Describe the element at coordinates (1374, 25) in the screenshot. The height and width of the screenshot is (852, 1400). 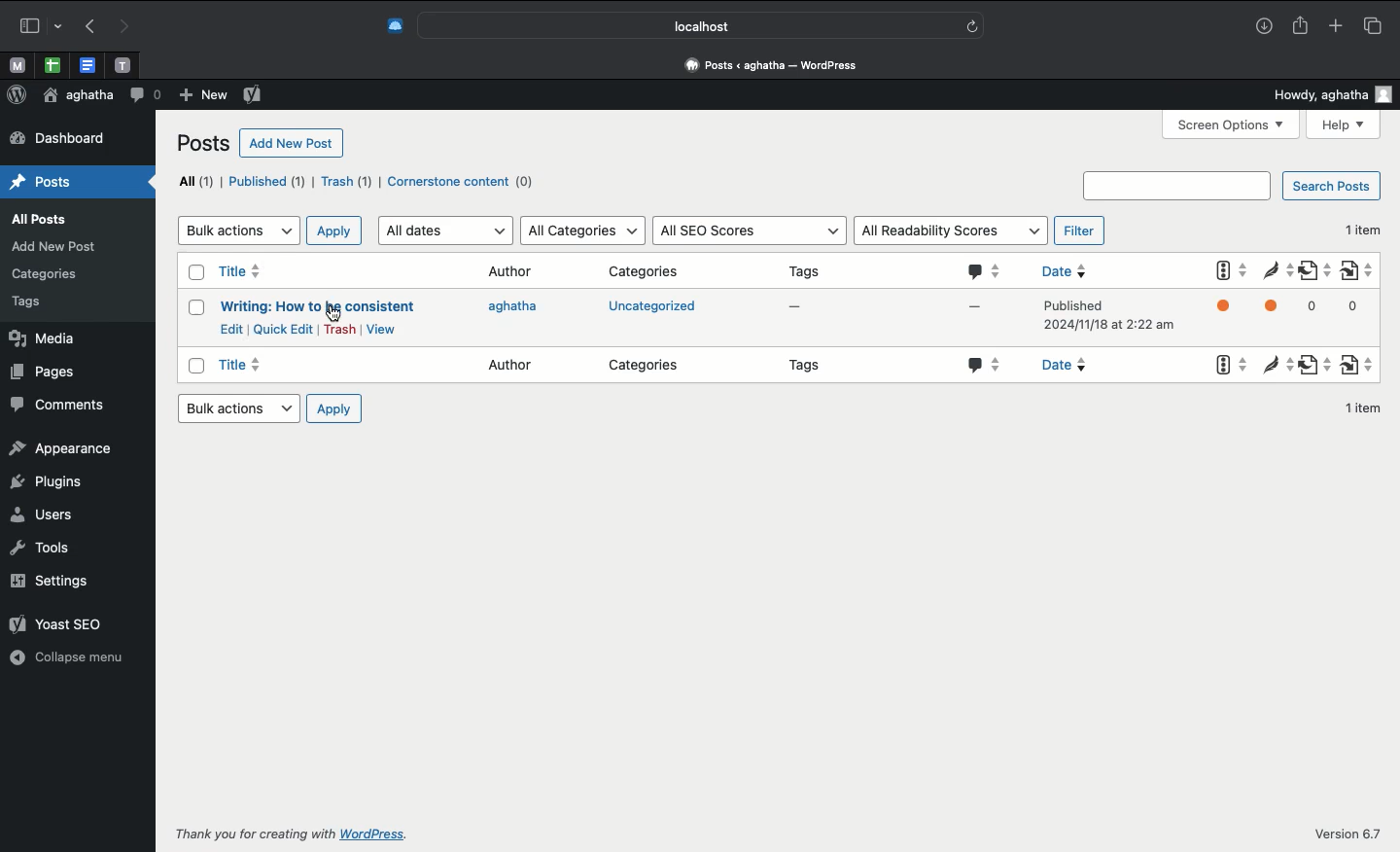
I see `Tabs` at that location.